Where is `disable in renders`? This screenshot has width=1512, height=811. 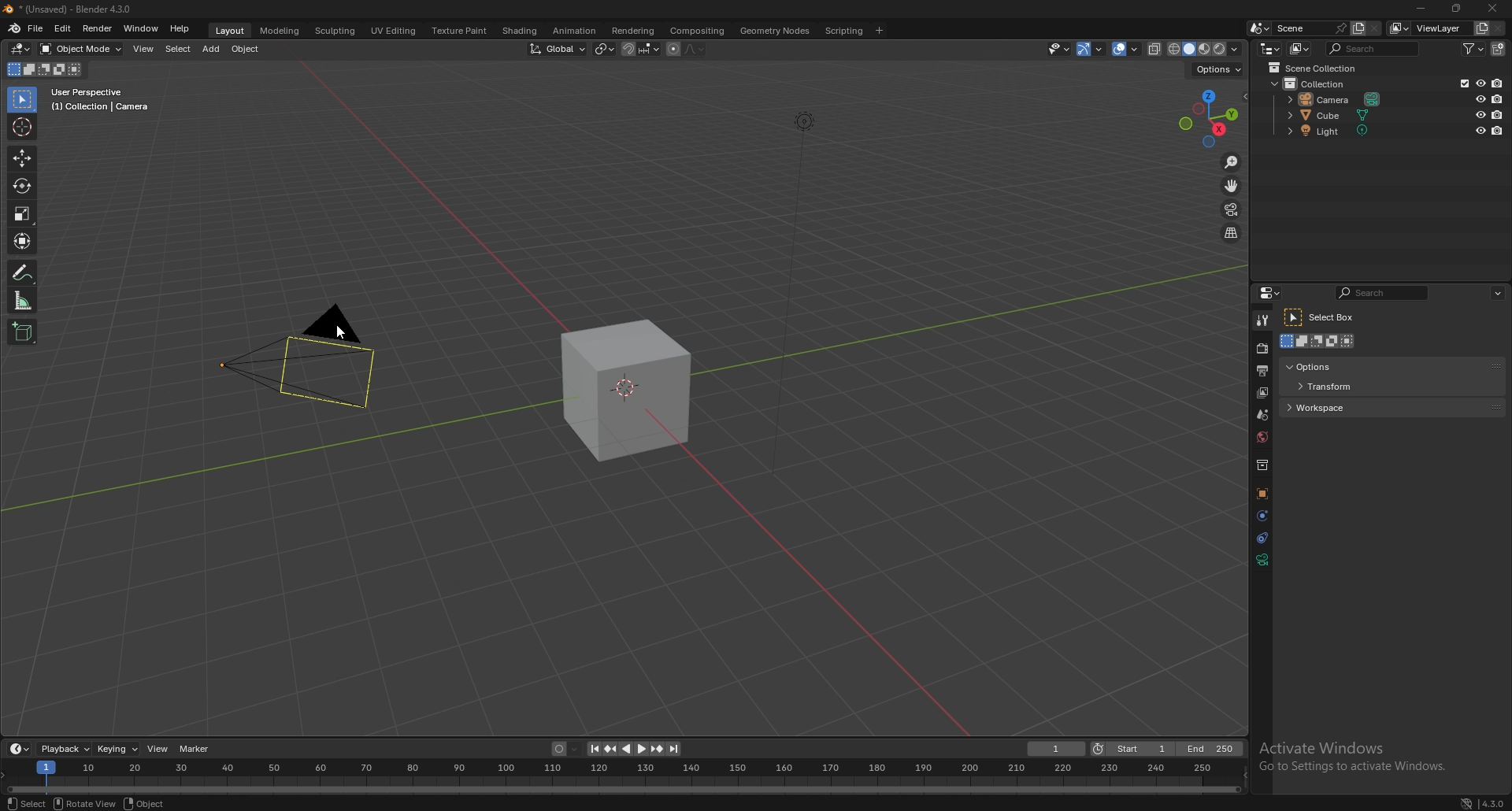
disable in renders is located at coordinates (1496, 99).